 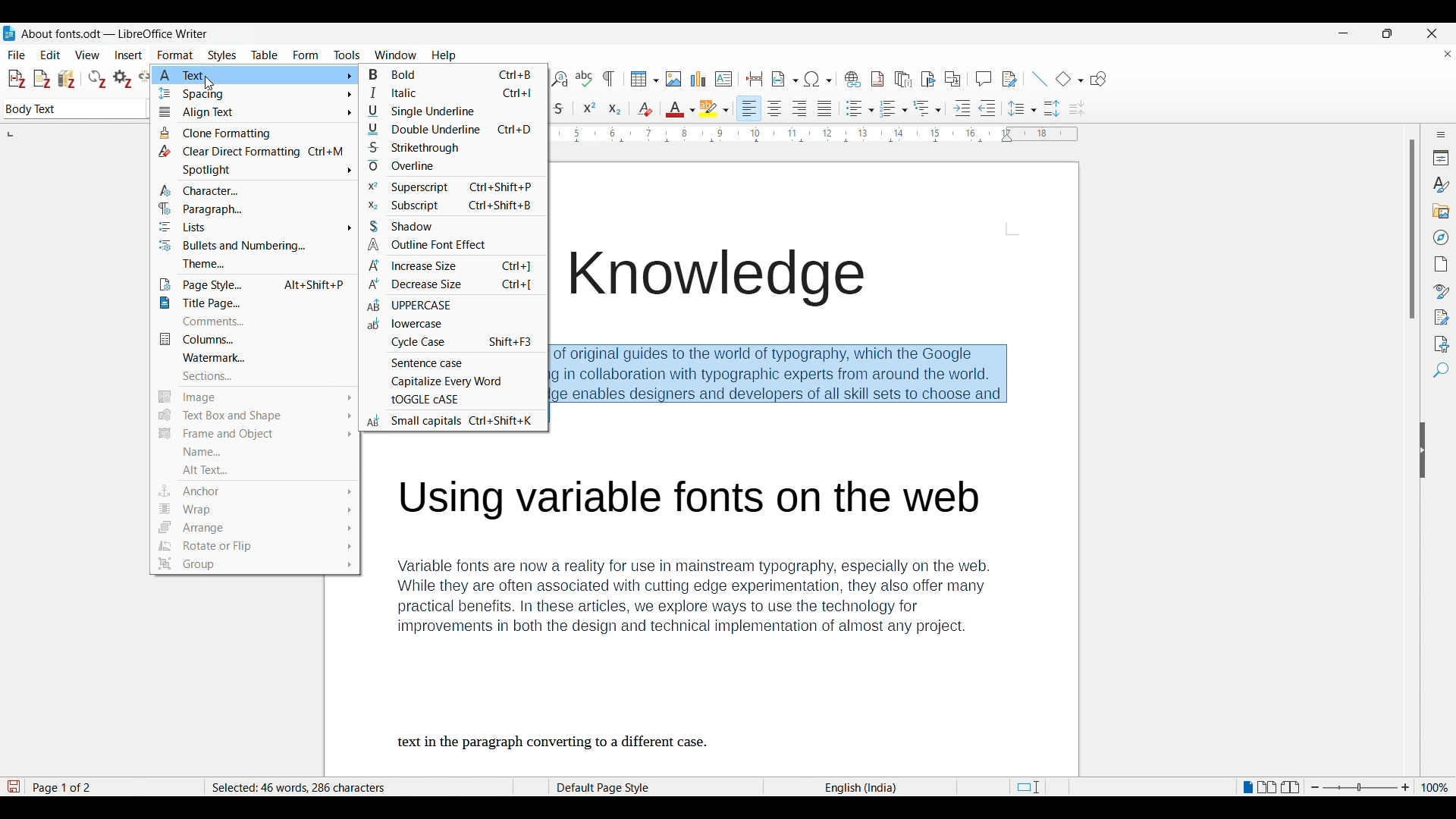 What do you see at coordinates (115, 34) in the screenshot?
I see `Project and software name` at bounding box center [115, 34].